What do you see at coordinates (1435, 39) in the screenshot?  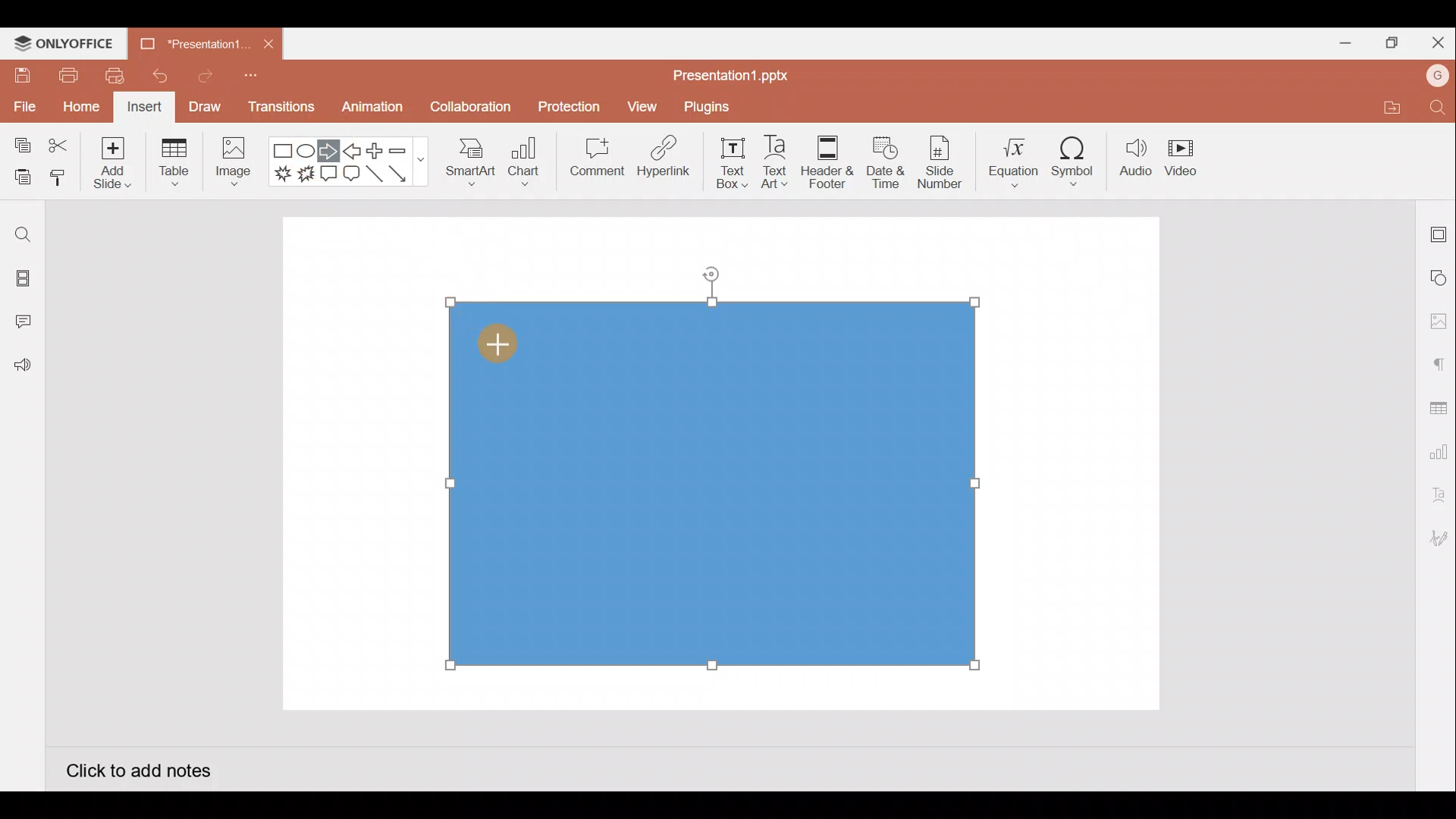 I see `Close` at bounding box center [1435, 39].